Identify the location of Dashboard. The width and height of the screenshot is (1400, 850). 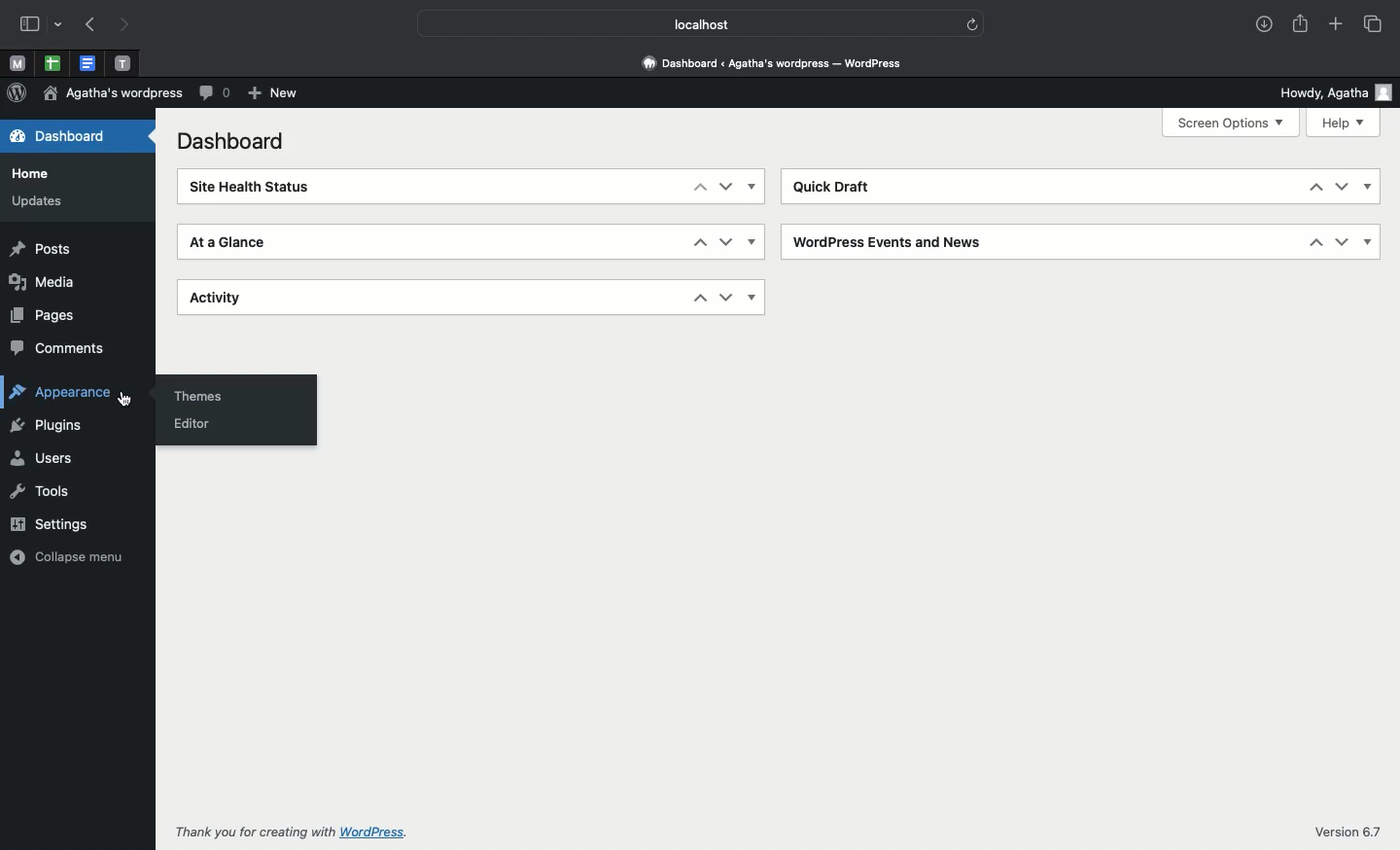
(235, 141).